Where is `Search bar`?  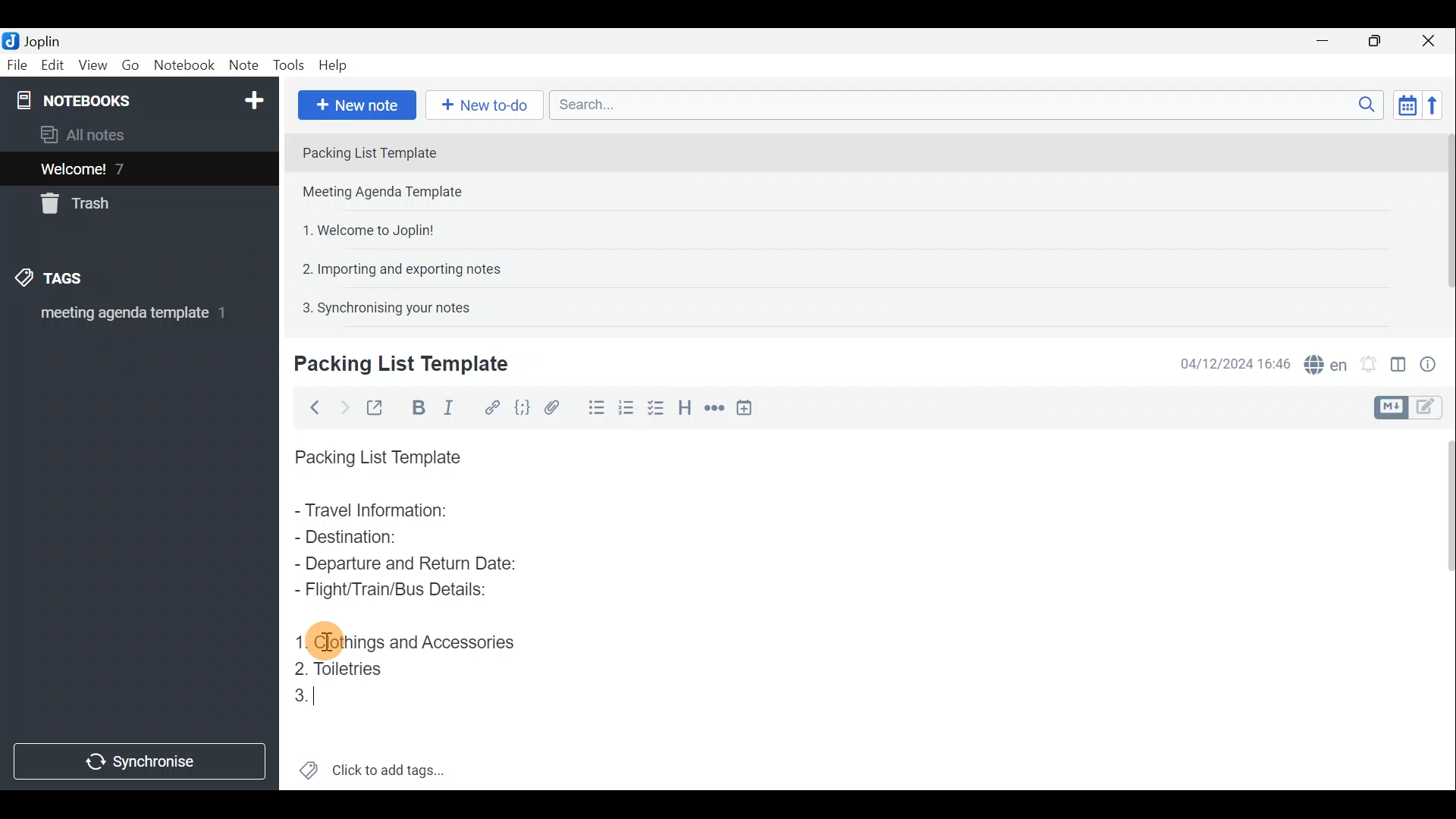
Search bar is located at coordinates (962, 106).